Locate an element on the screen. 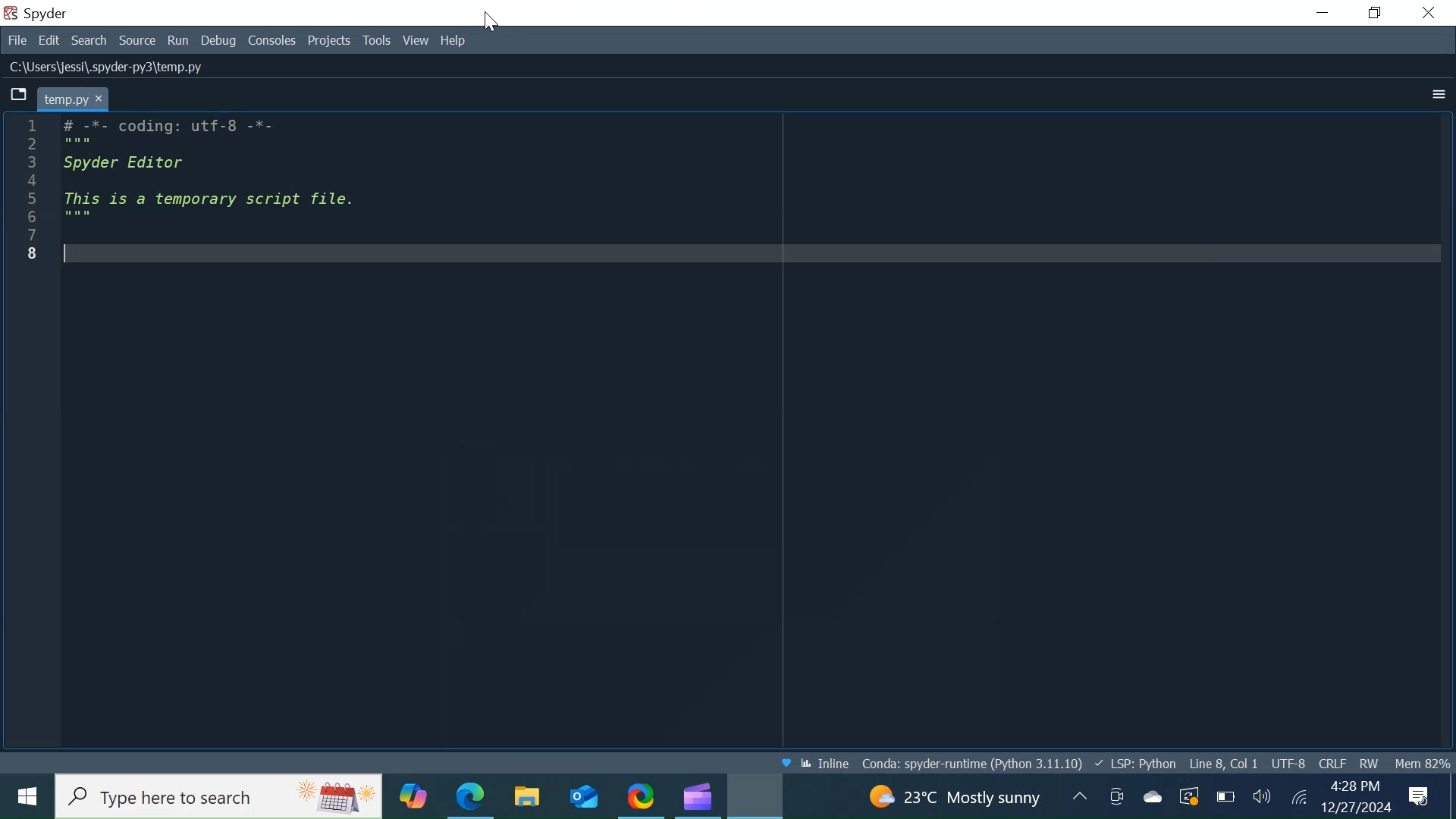  File Encoding is located at coordinates (1288, 764).